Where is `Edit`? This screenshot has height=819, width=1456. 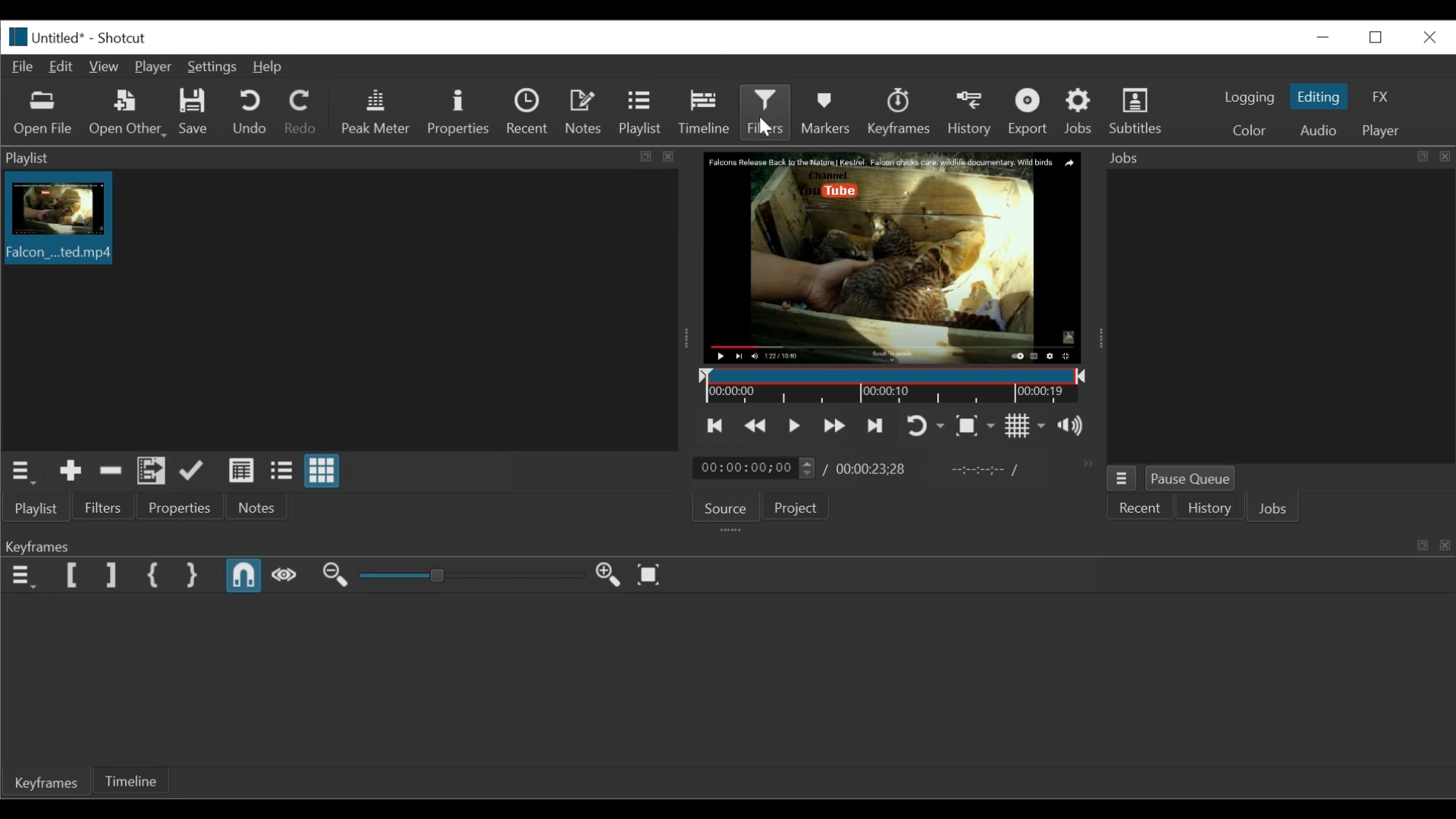 Edit is located at coordinates (61, 67).